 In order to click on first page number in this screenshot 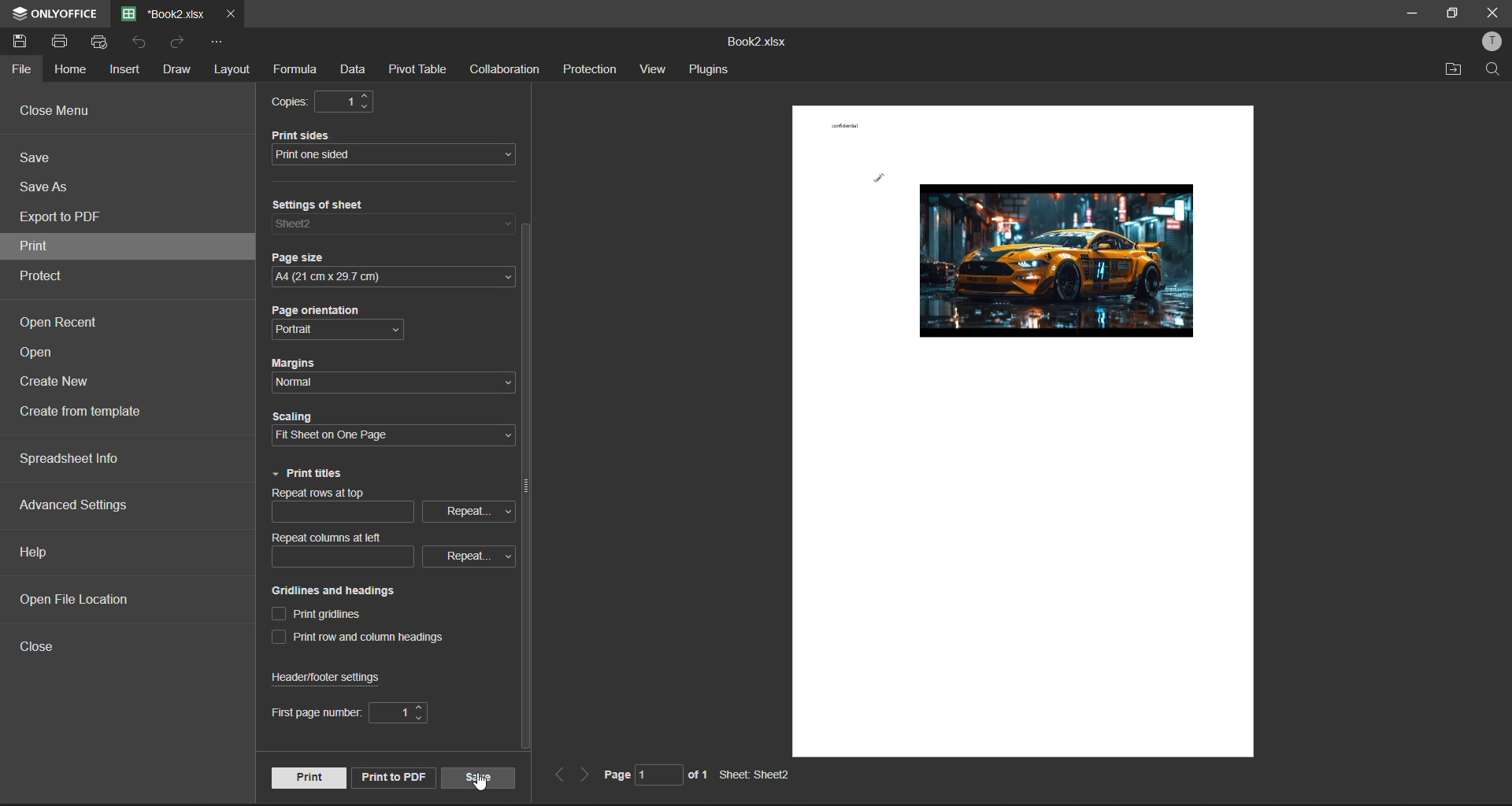, I will do `click(349, 714)`.